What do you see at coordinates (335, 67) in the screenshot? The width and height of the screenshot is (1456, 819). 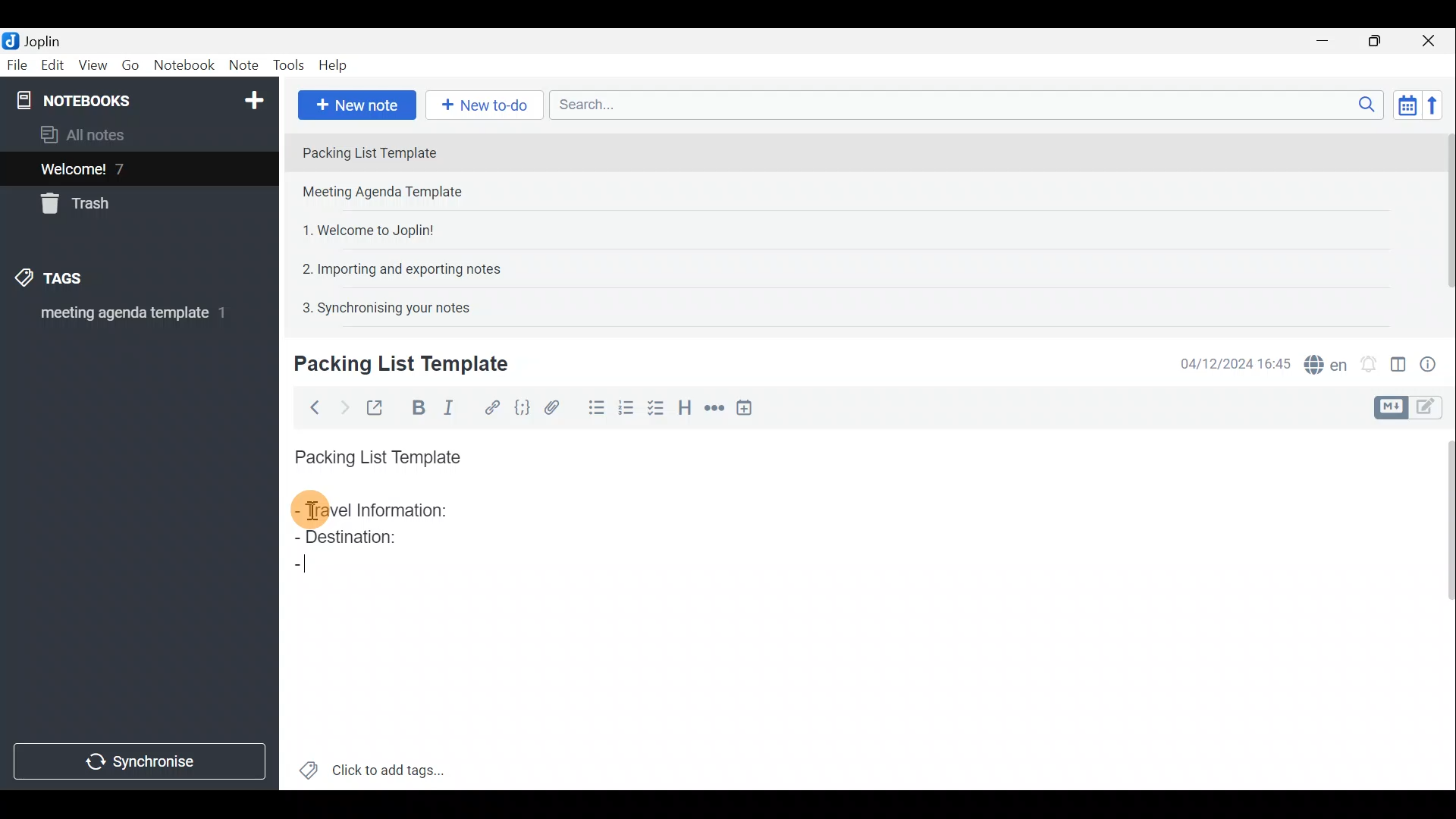 I see `Help` at bounding box center [335, 67].